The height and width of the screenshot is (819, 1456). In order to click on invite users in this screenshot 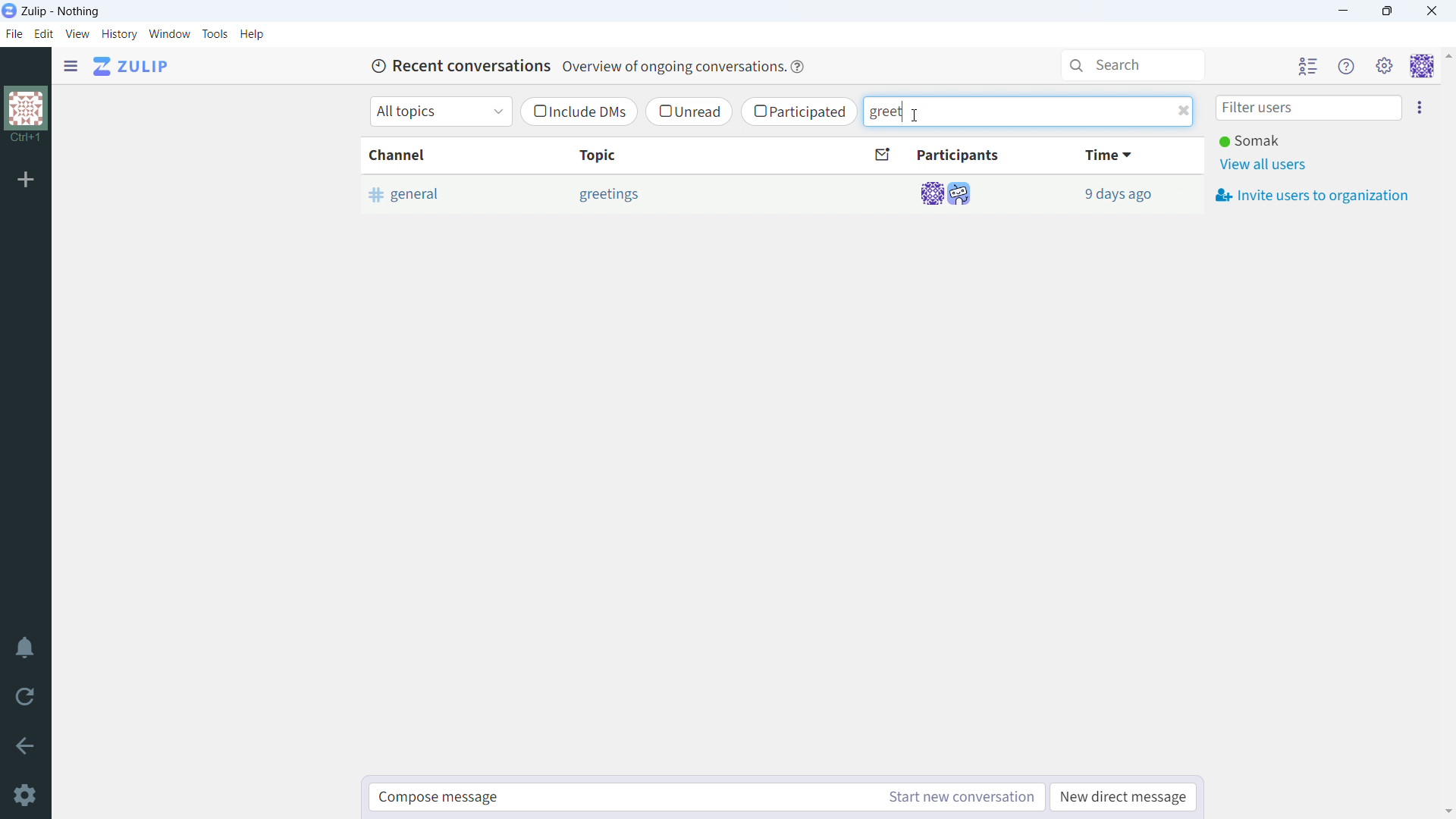, I will do `click(1312, 196)`.